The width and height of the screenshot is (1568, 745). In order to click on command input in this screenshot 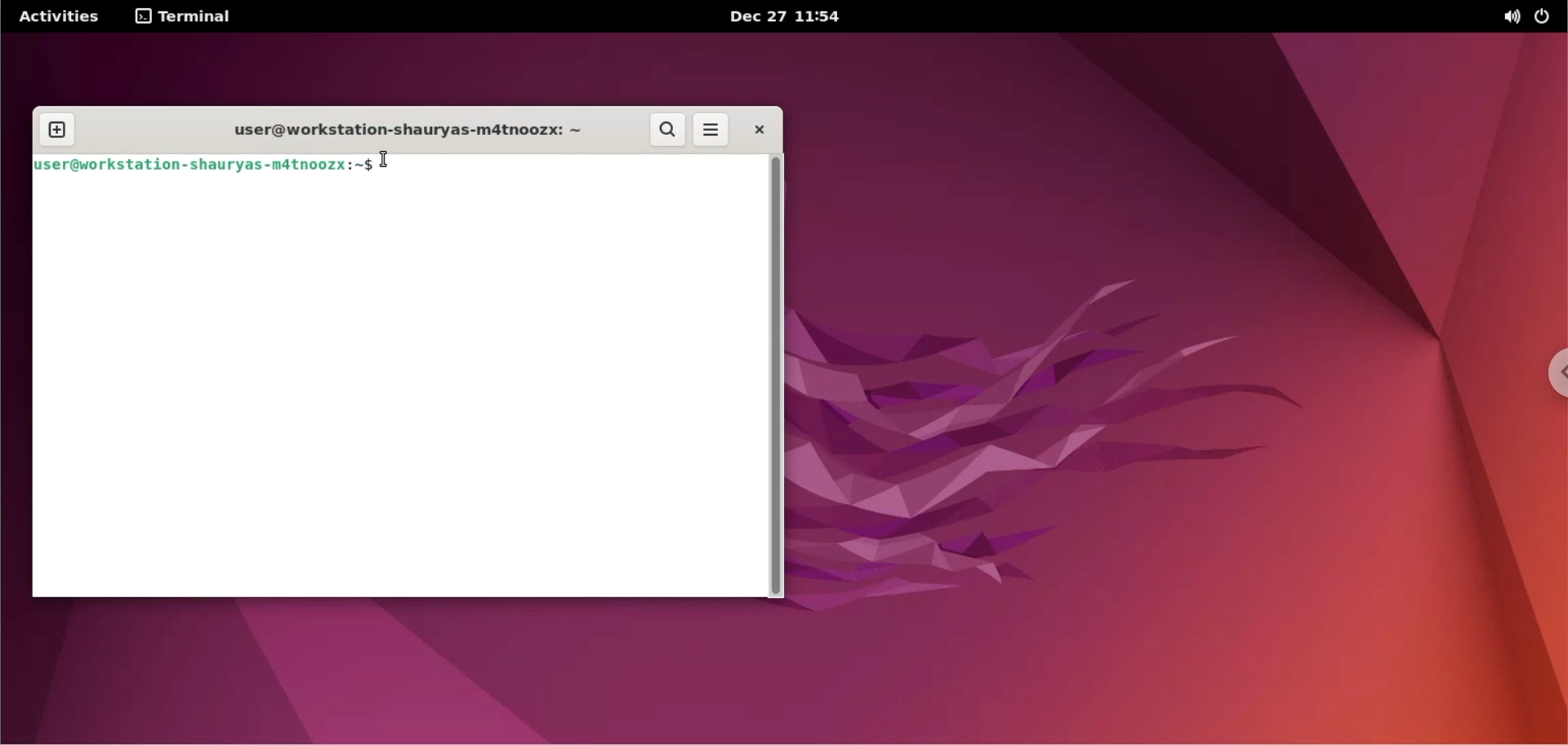, I will do `click(572, 167)`.